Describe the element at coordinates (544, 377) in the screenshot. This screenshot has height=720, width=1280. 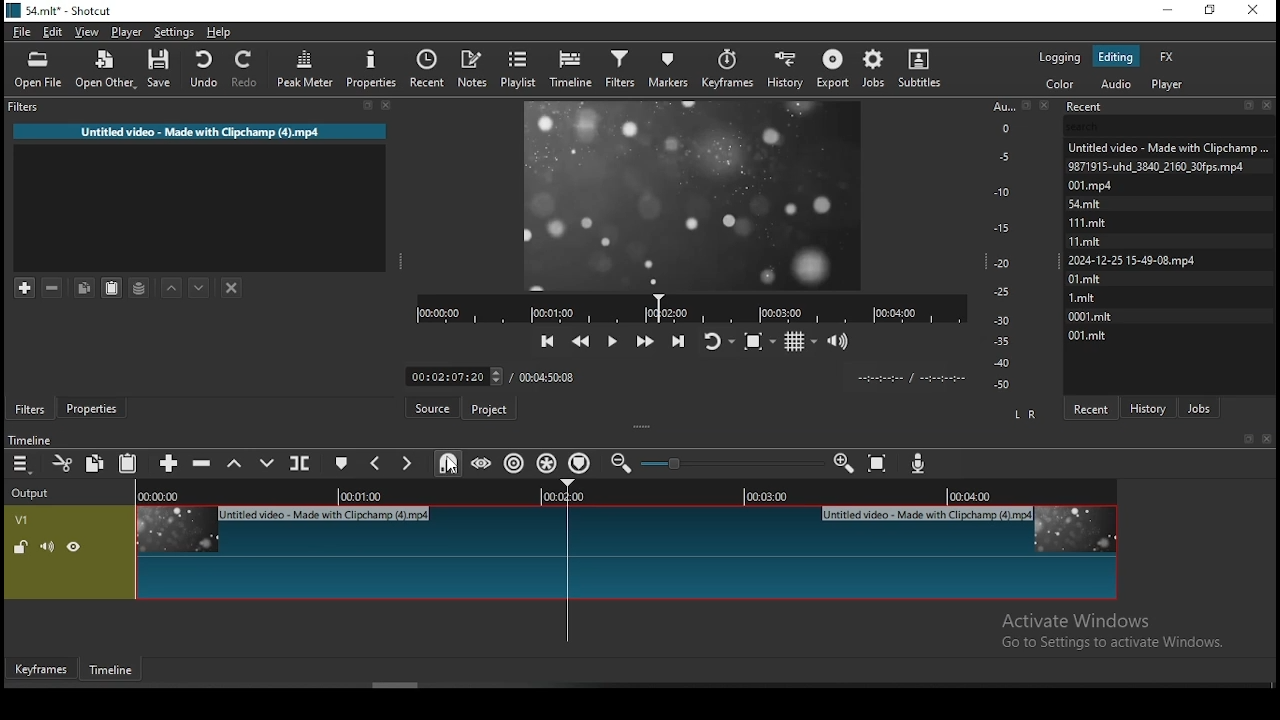
I see `total time` at that location.